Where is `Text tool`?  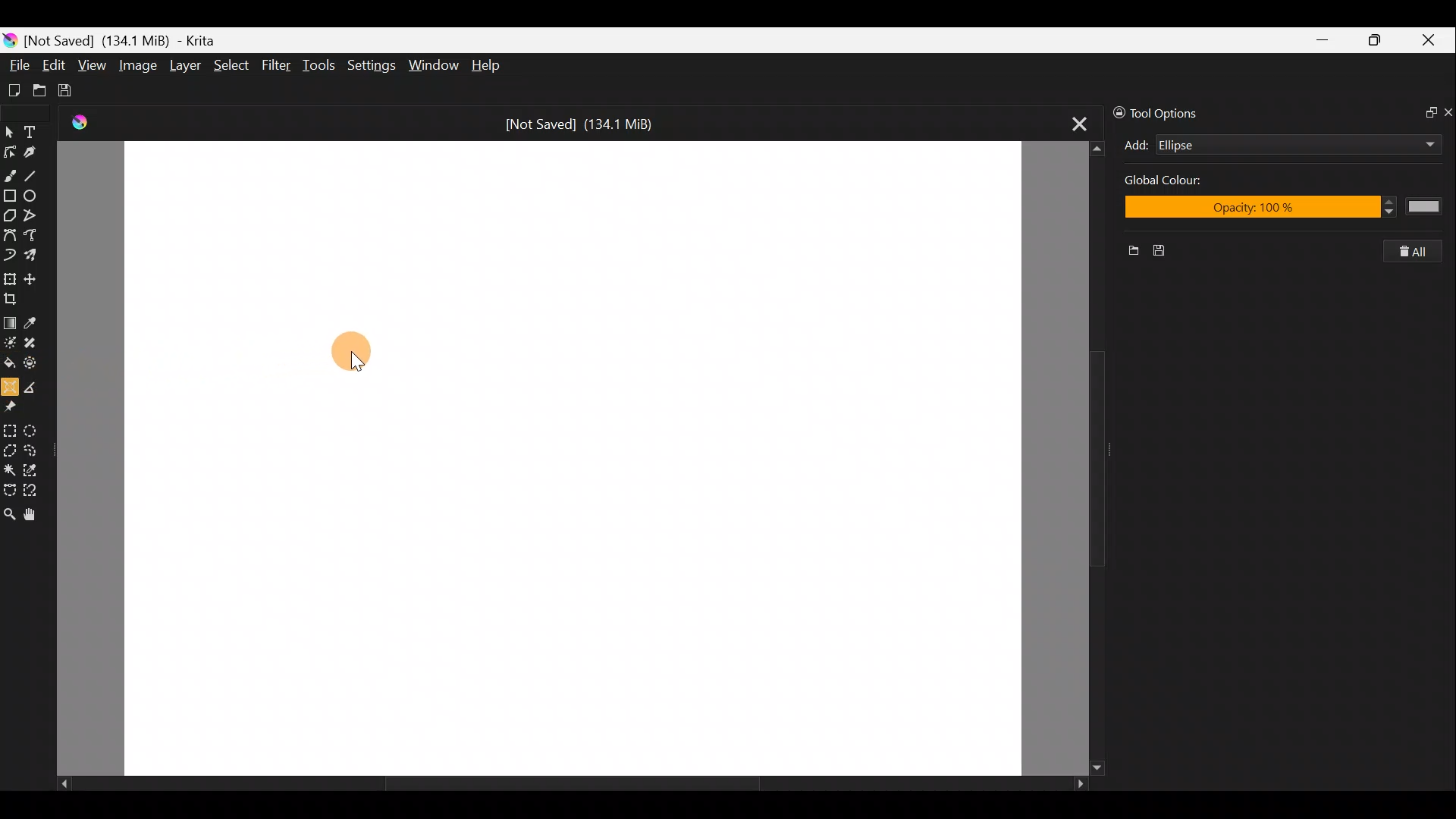 Text tool is located at coordinates (33, 129).